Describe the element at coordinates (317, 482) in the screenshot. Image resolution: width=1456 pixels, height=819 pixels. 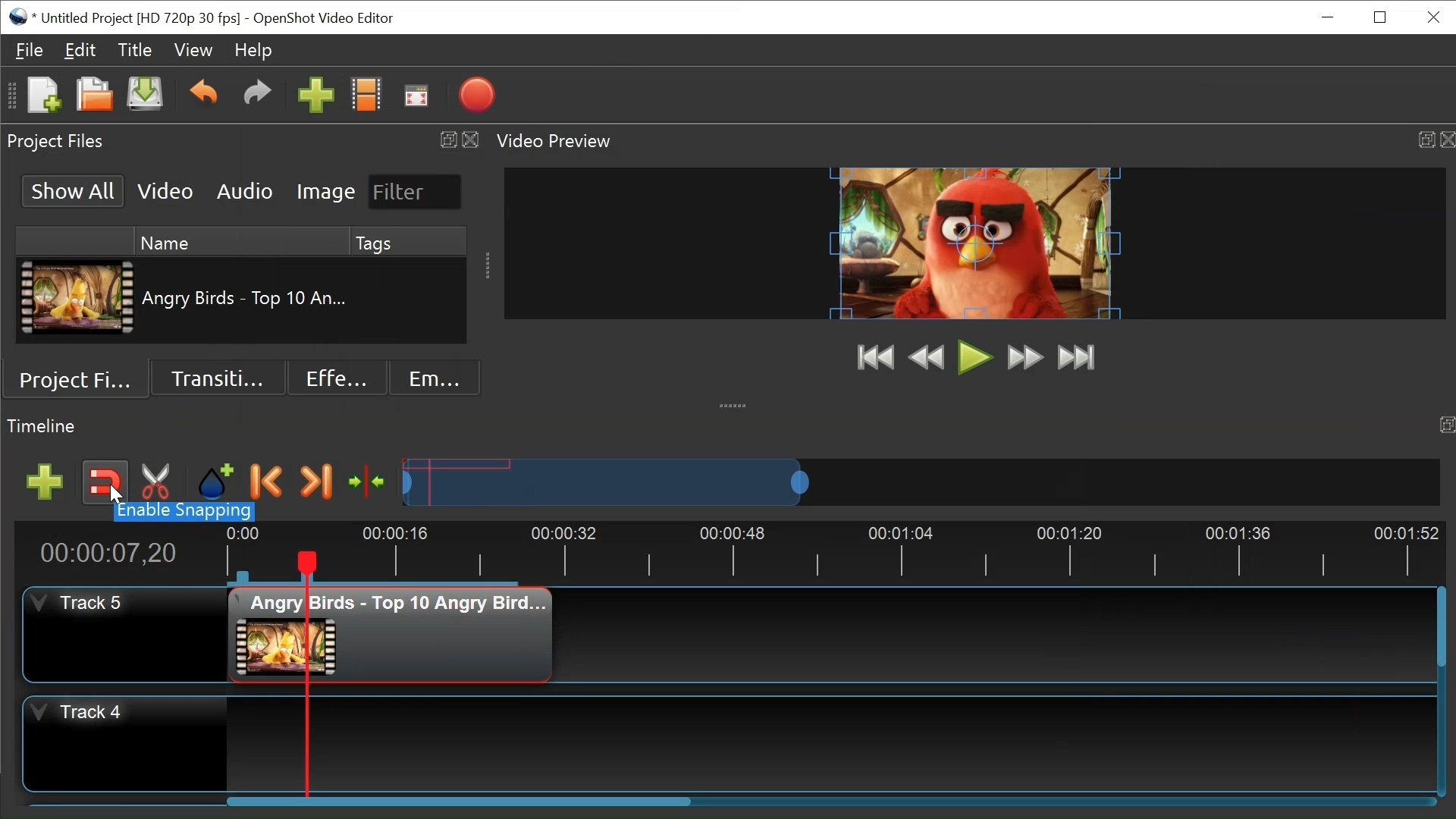
I see `Next Marker` at that location.